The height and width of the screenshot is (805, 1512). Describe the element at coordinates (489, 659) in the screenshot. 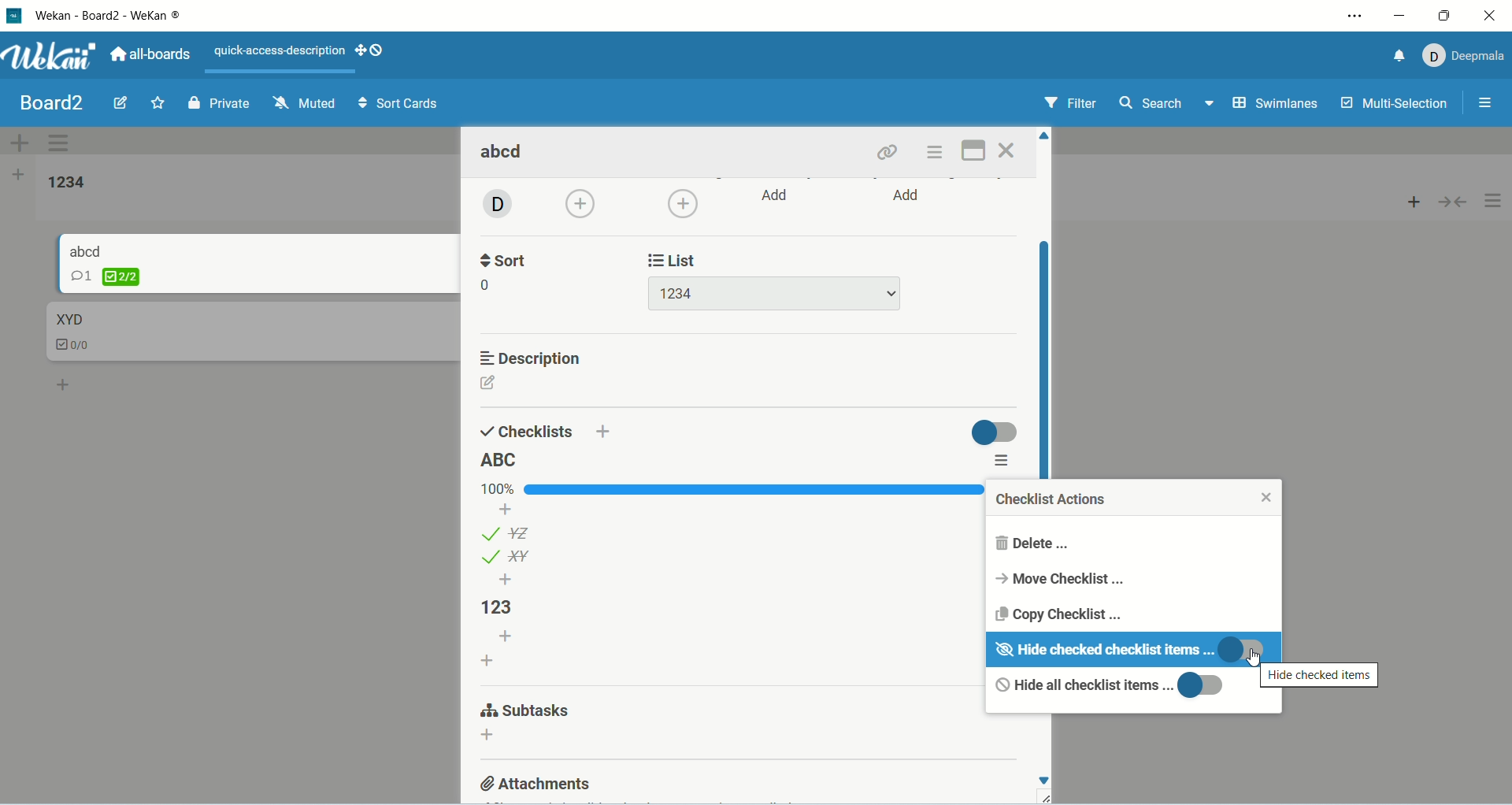

I see `add checcklist` at that location.